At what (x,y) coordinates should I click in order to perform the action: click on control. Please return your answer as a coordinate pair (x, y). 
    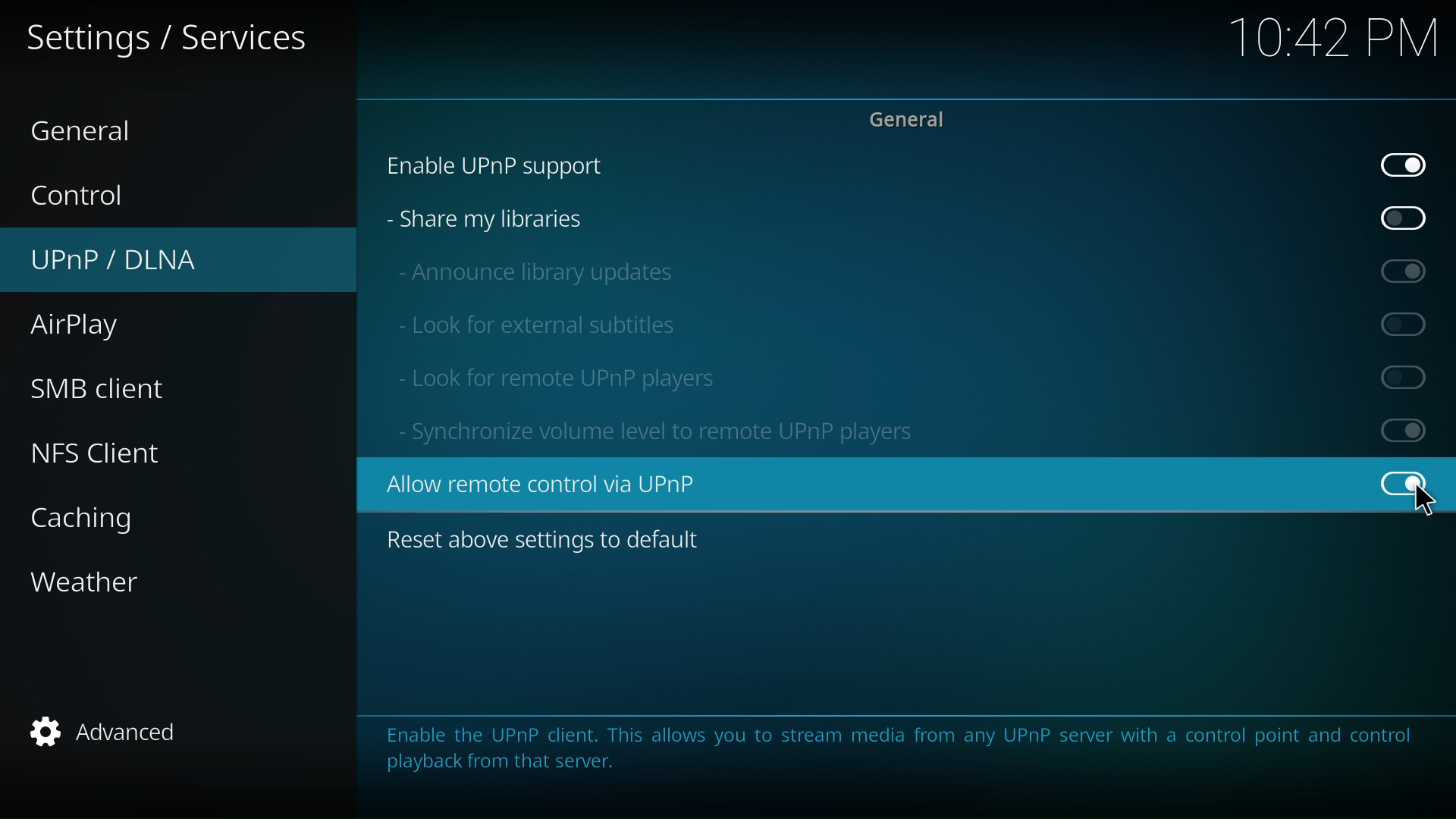
    Looking at the image, I should click on (89, 197).